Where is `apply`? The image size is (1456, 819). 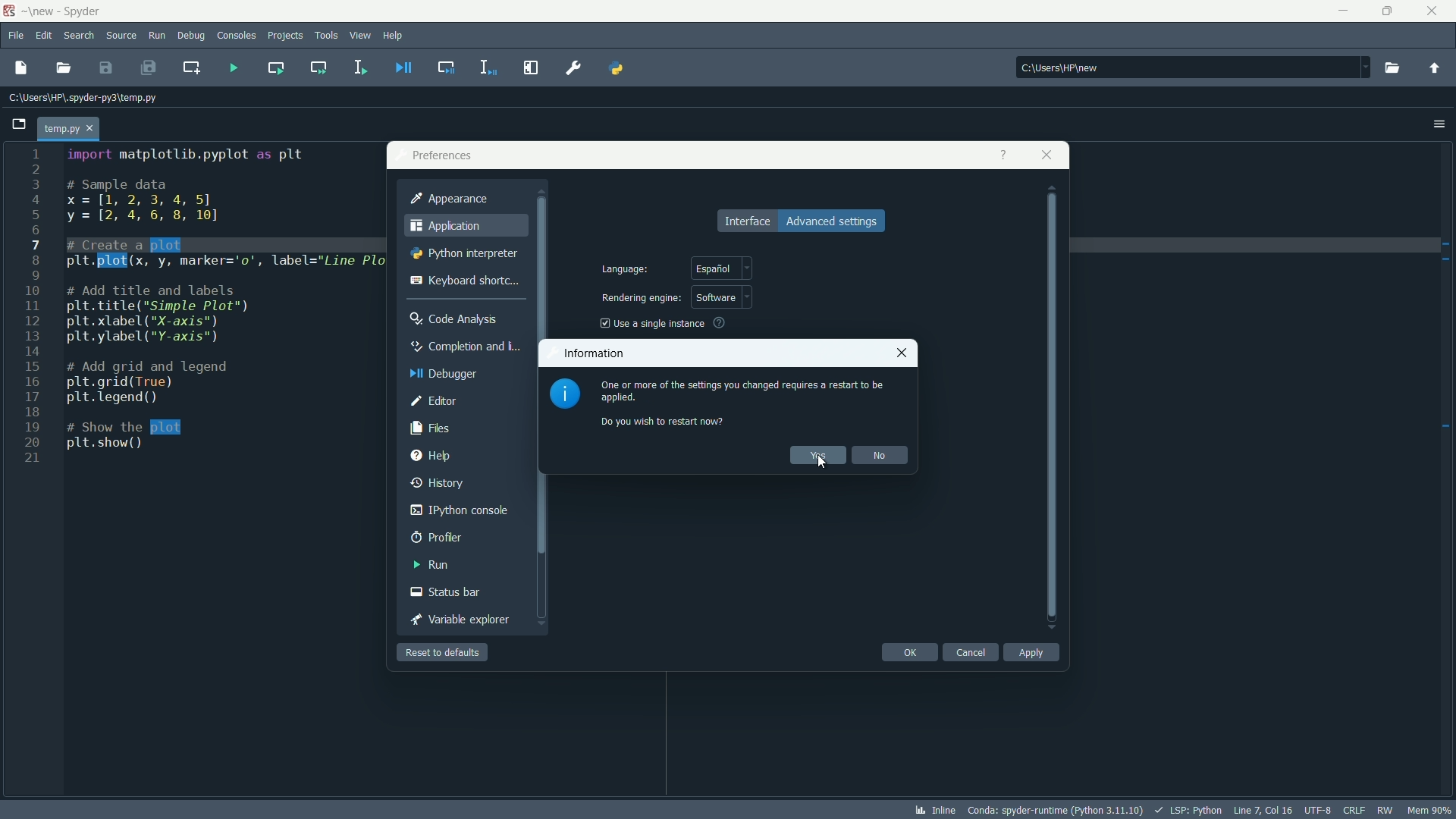
apply is located at coordinates (1034, 652).